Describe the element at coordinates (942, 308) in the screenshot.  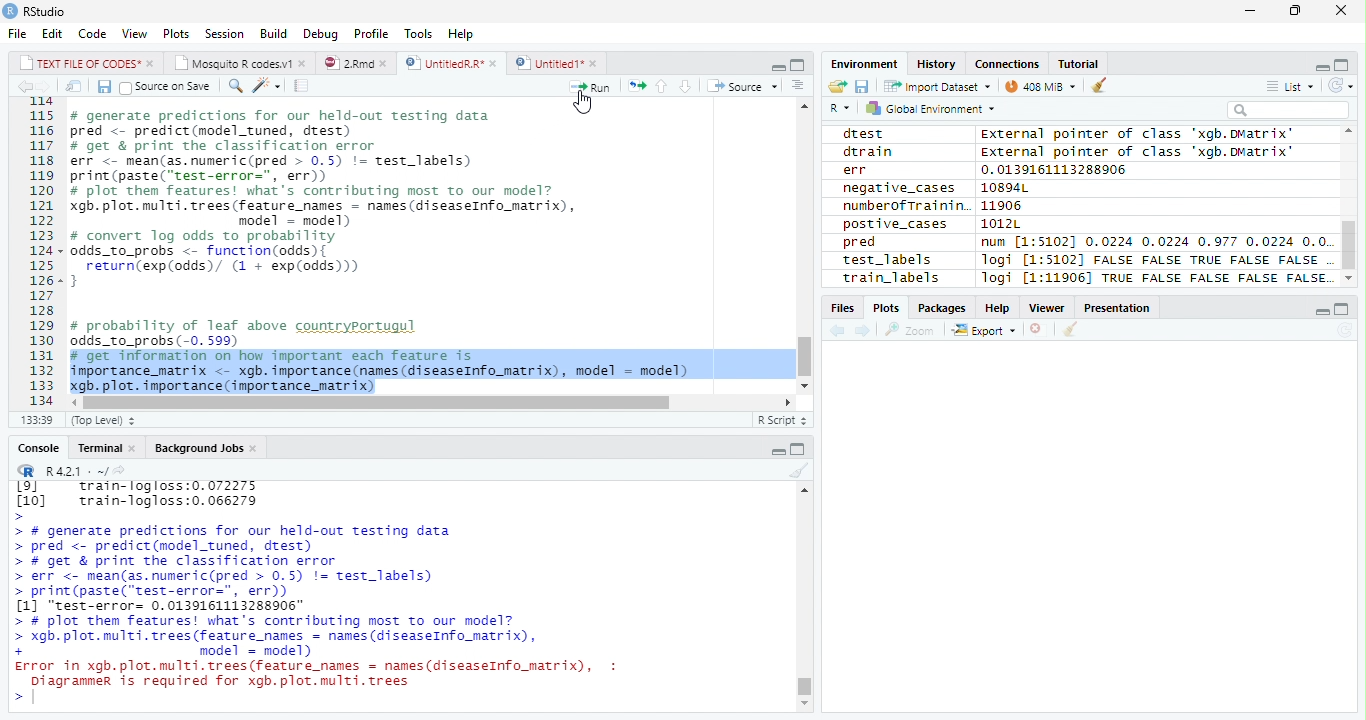
I see `Packages` at that location.